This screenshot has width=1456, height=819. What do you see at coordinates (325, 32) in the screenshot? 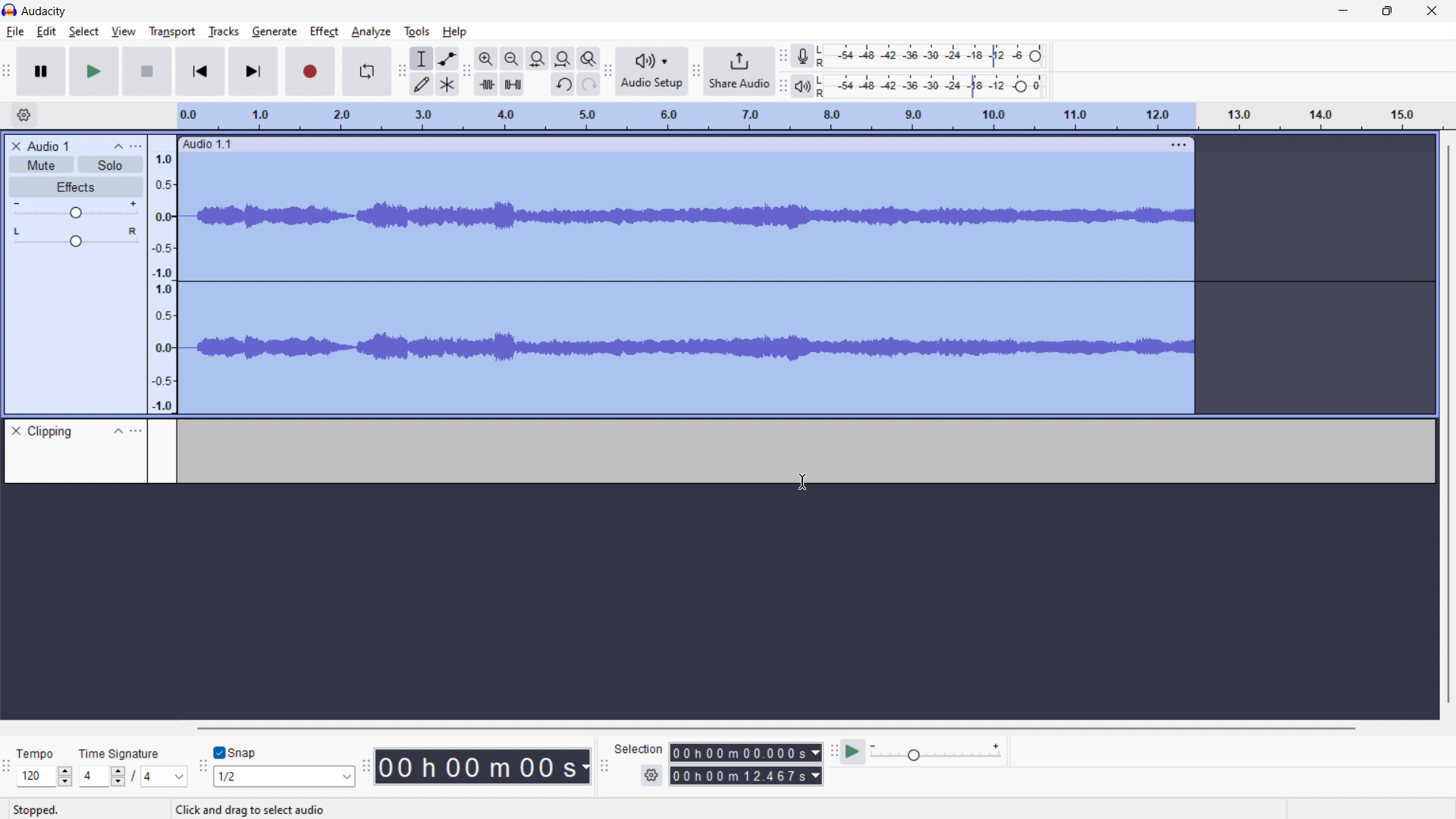
I see `effect` at bounding box center [325, 32].